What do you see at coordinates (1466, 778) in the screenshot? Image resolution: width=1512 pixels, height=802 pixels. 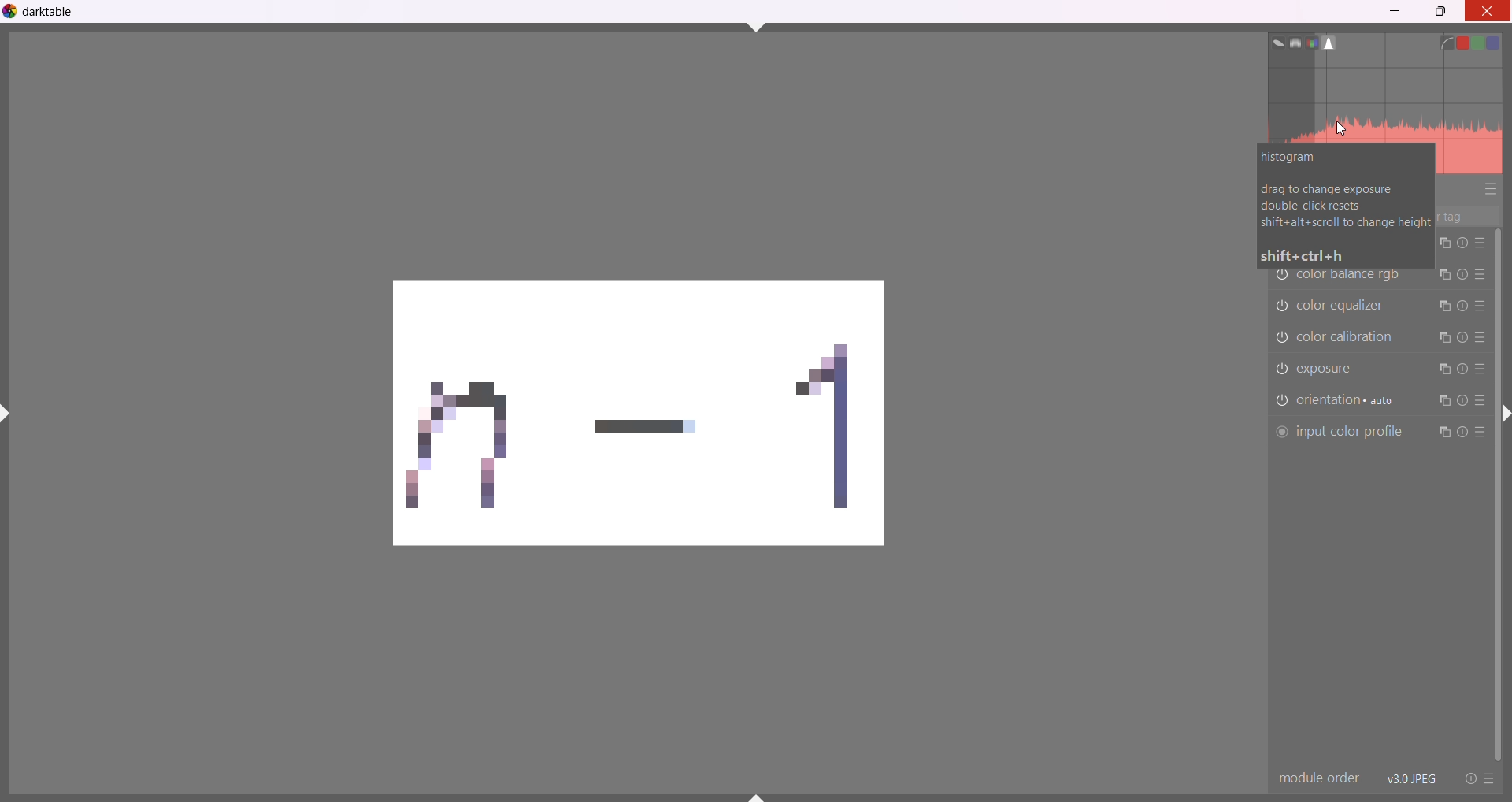 I see `reset` at bounding box center [1466, 778].